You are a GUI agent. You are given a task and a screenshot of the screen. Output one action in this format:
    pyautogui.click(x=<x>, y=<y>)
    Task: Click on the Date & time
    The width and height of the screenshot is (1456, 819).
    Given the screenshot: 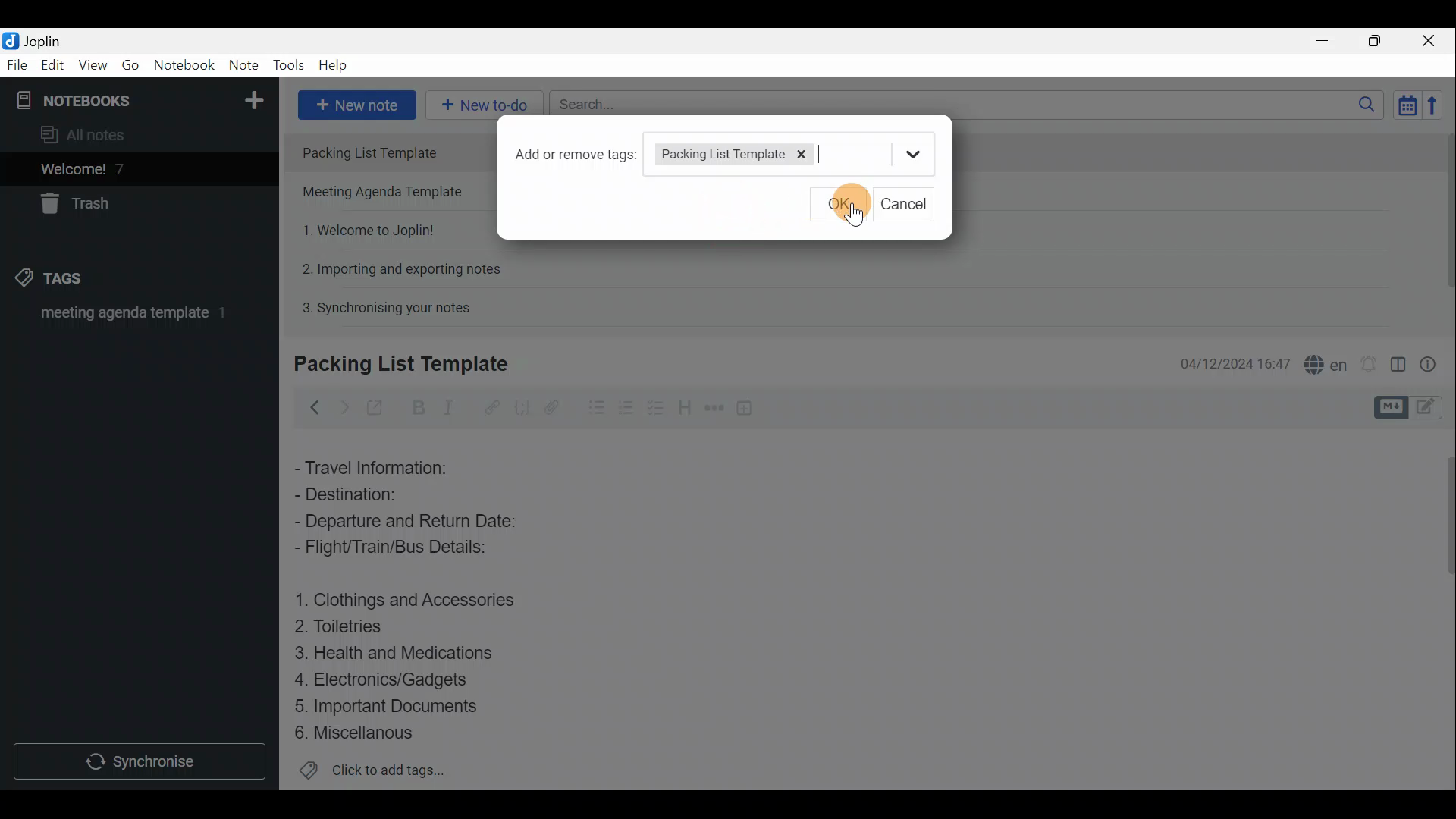 What is the action you would take?
    pyautogui.click(x=1235, y=362)
    